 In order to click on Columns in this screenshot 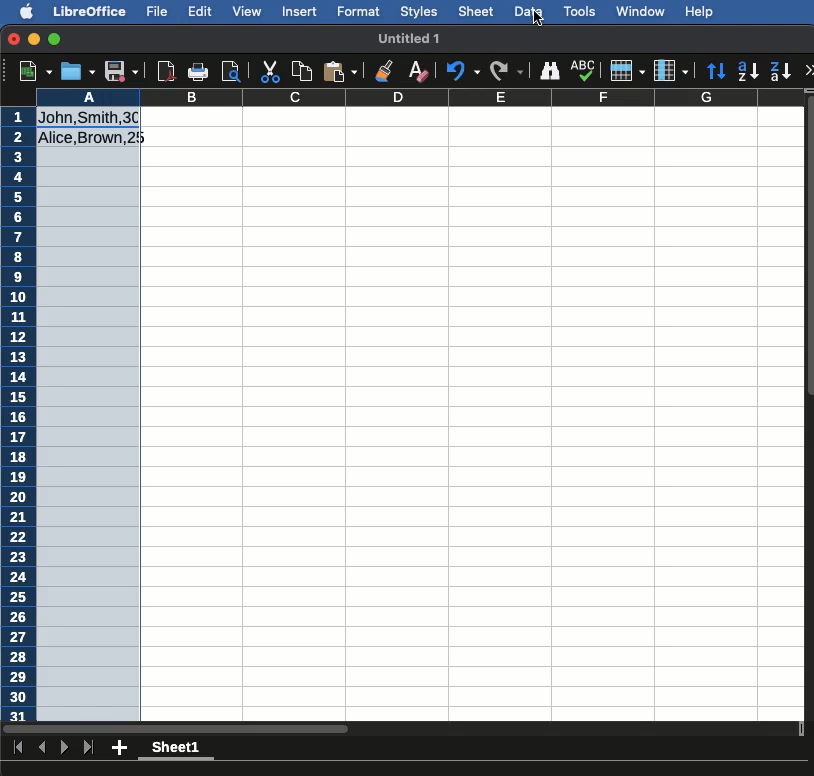, I will do `click(419, 97)`.